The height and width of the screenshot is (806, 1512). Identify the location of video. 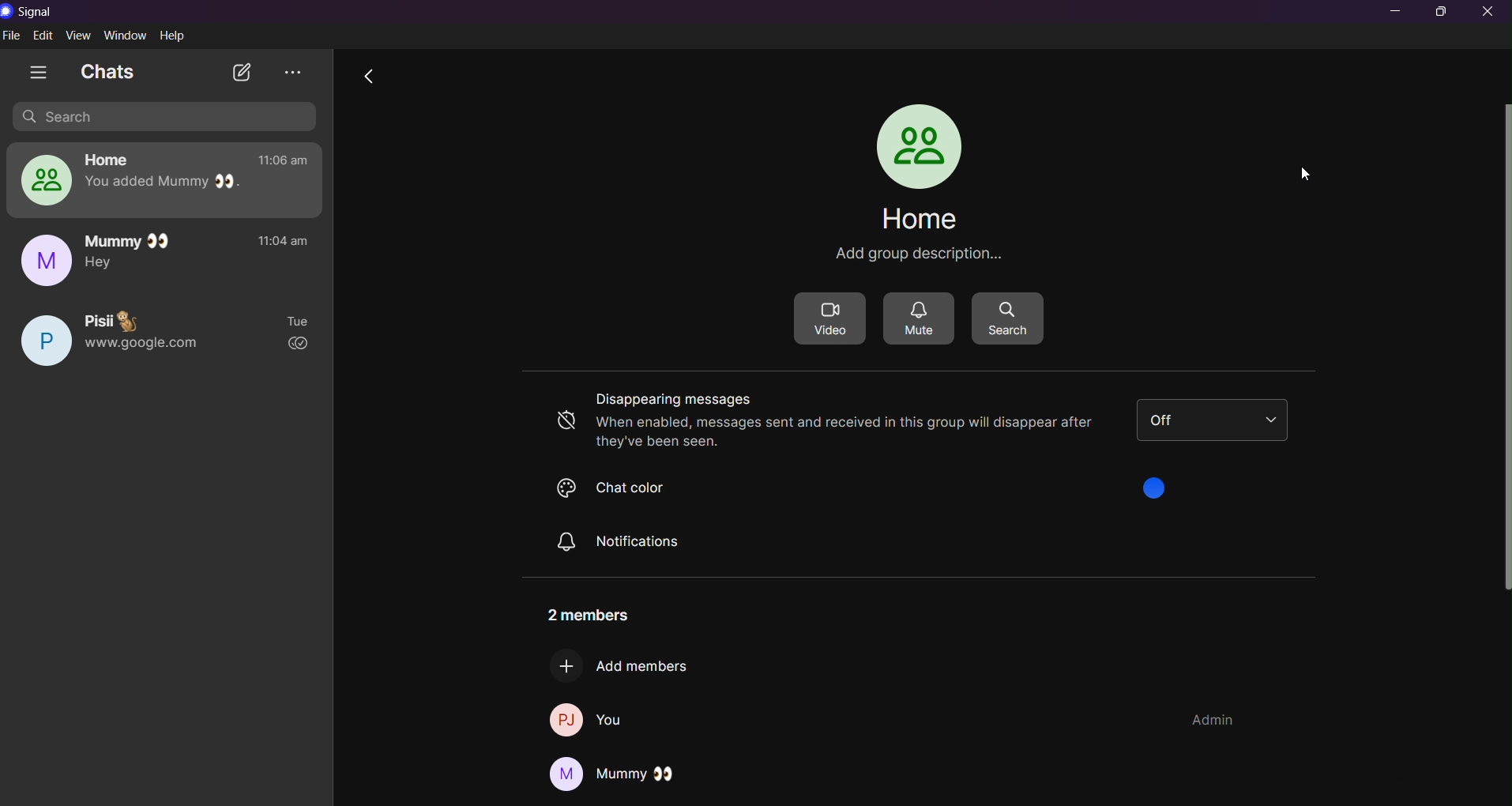
(831, 317).